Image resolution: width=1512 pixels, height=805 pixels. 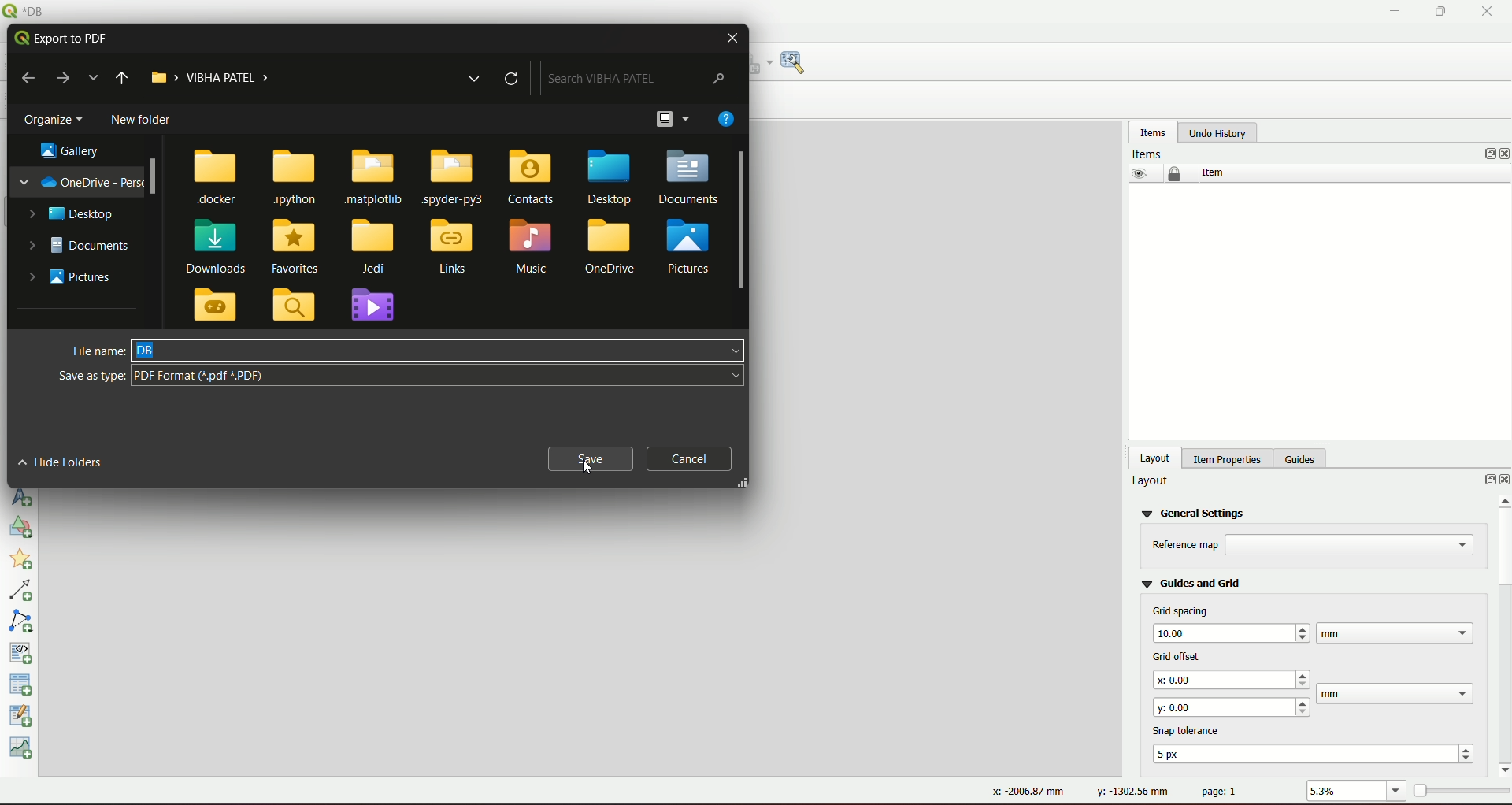 I want to click on add arrow, so click(x=24, y=592).